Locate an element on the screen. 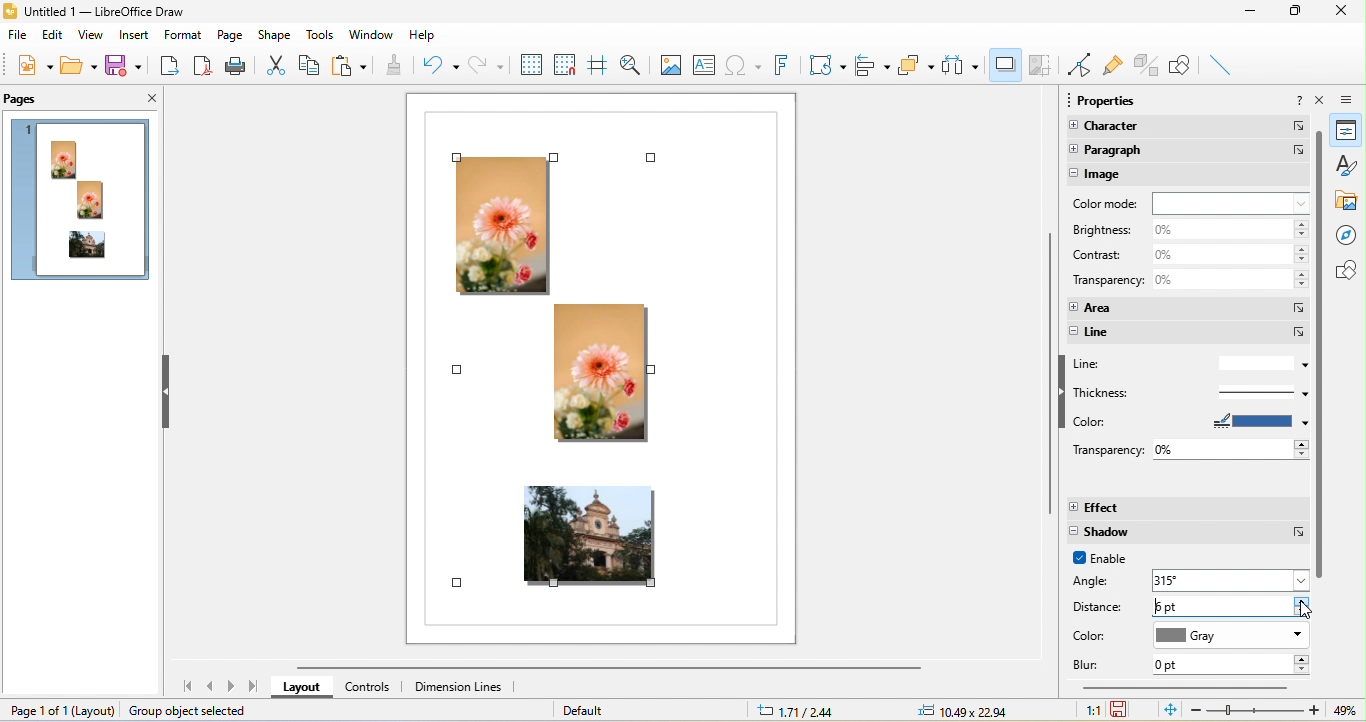 The width and height of the screenshot is (1366, 722). images is located at coordinates (598, 358).